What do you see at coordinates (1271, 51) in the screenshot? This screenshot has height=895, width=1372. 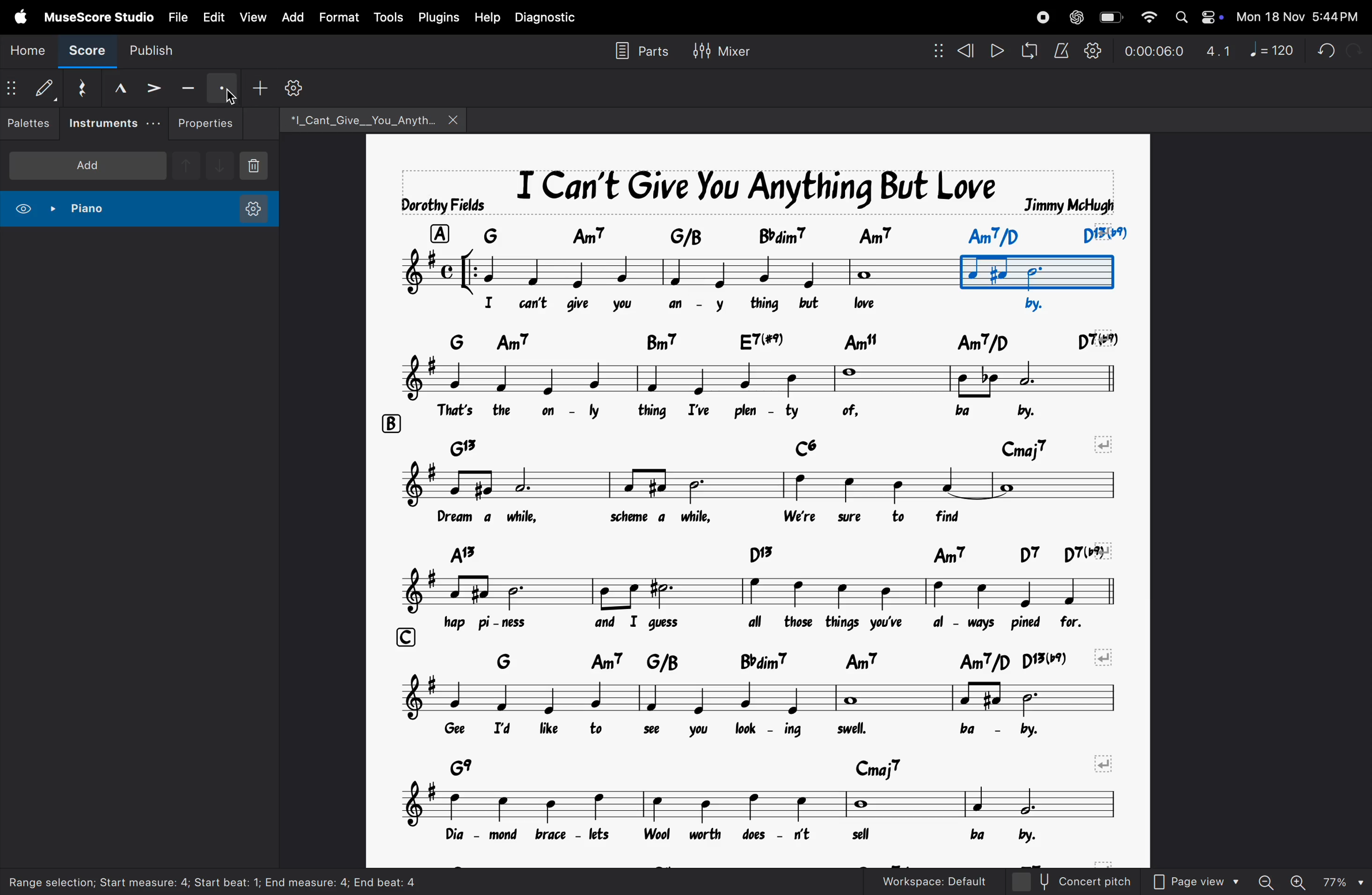 I see `note 120` at bounding box center [1271, 51].